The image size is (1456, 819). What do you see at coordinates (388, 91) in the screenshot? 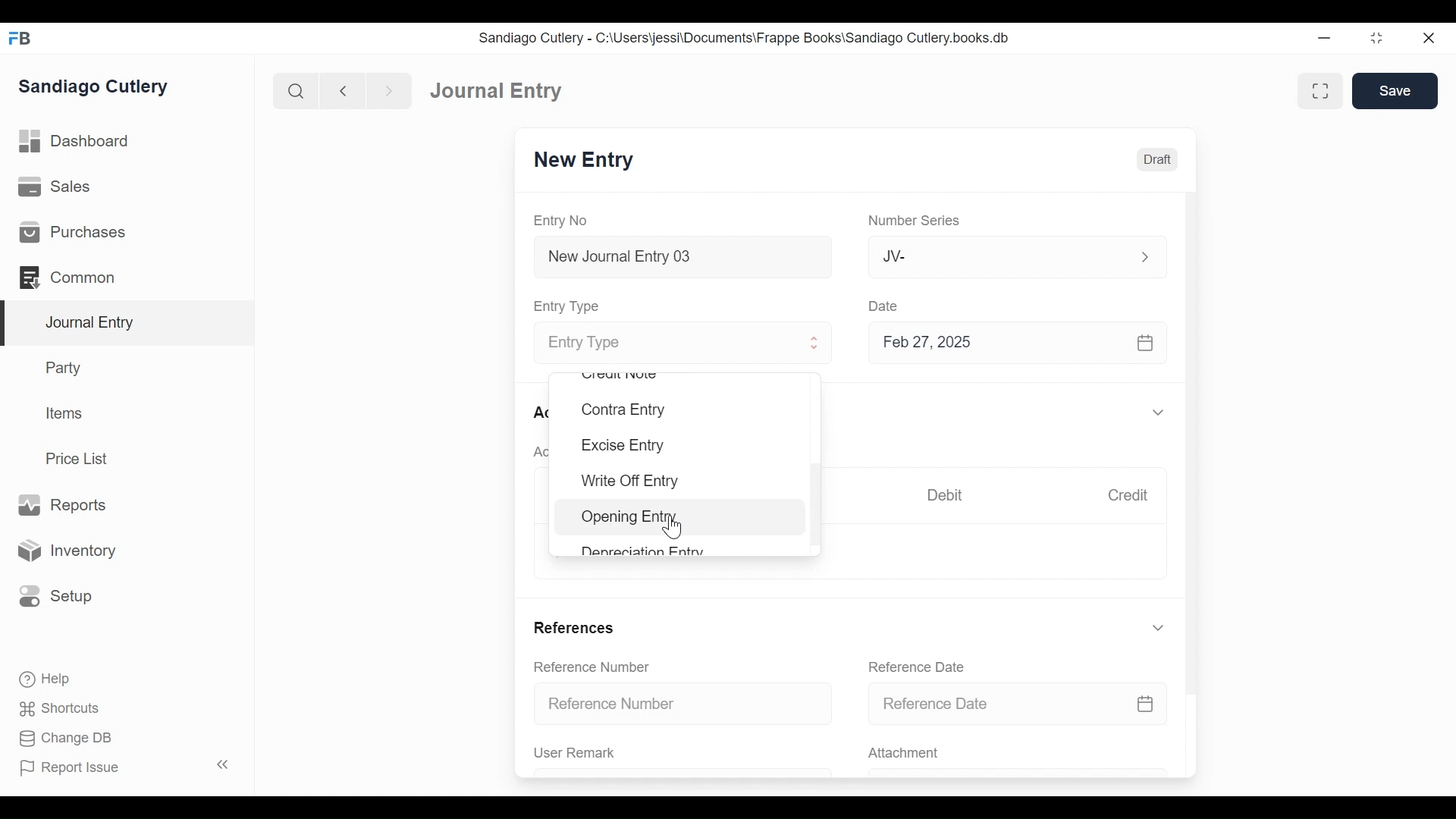
I see `Navigate forward` at bounding box center [388, 91].